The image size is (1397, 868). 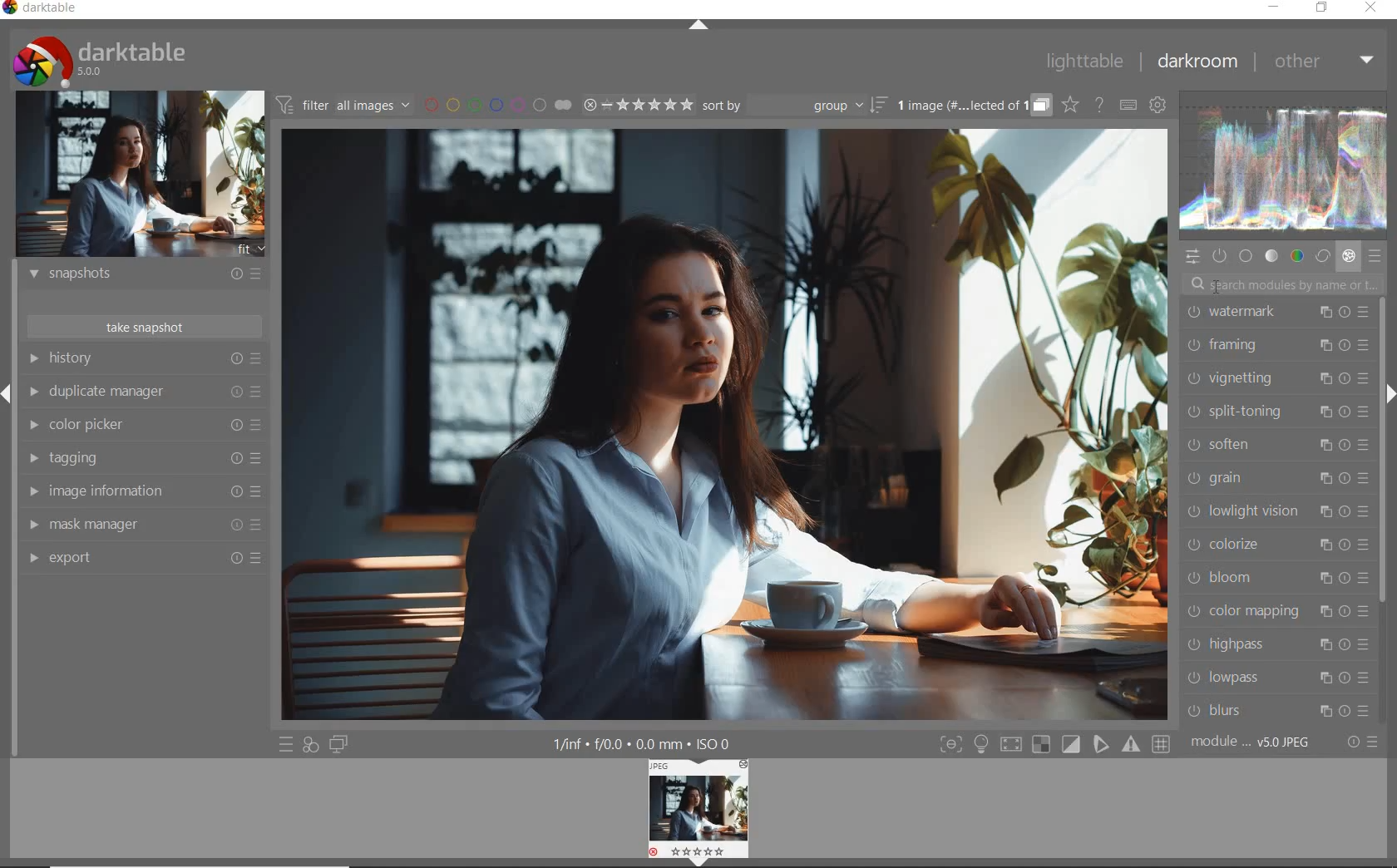 What do you see at coordinates (1071, 106) in the screenshot?
I see `click to change overlays on thumbnails` at bounding box center [1071, 106].